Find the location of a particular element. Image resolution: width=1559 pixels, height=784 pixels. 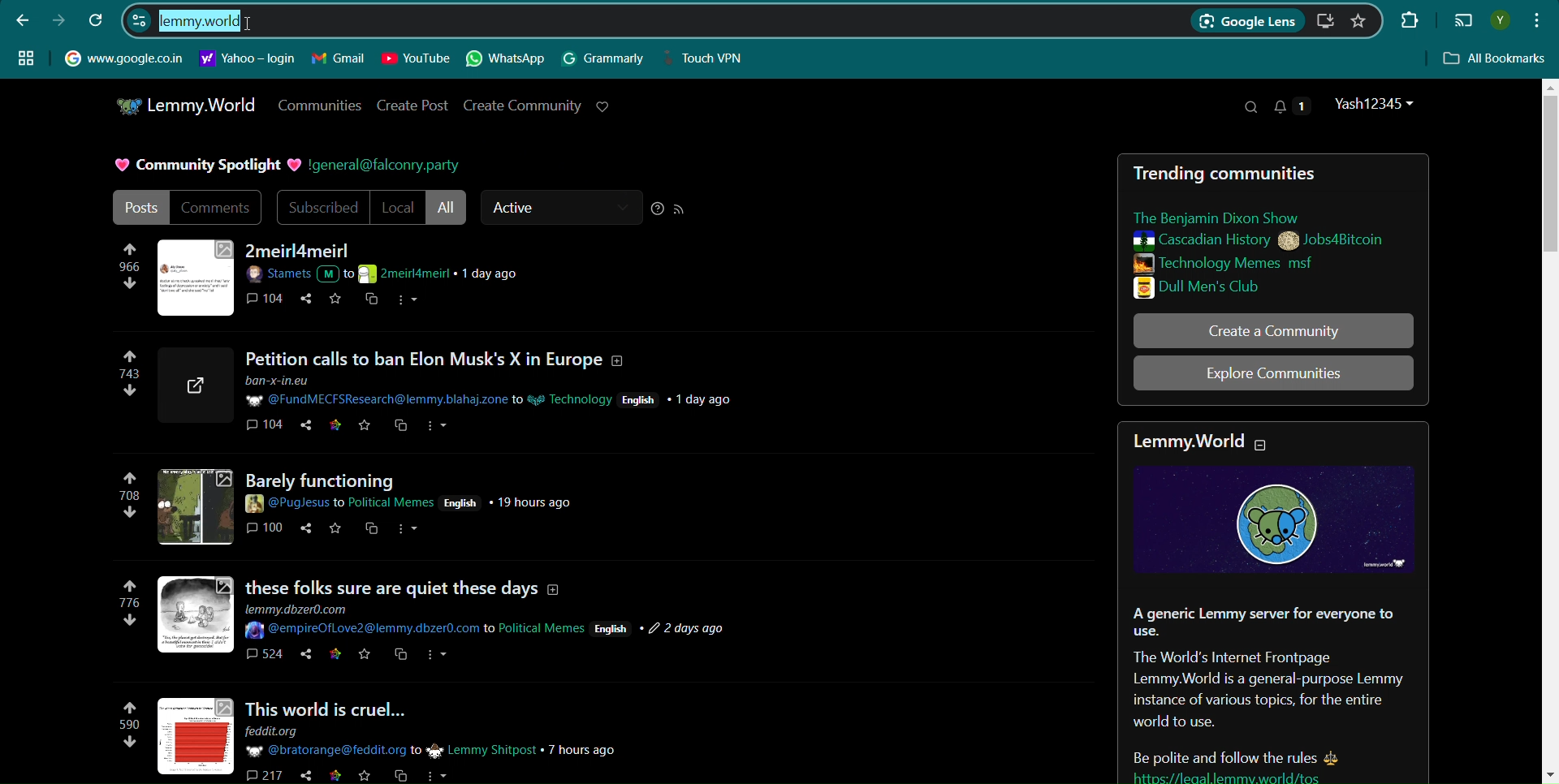

Comments is located at coordinates (218, 207).